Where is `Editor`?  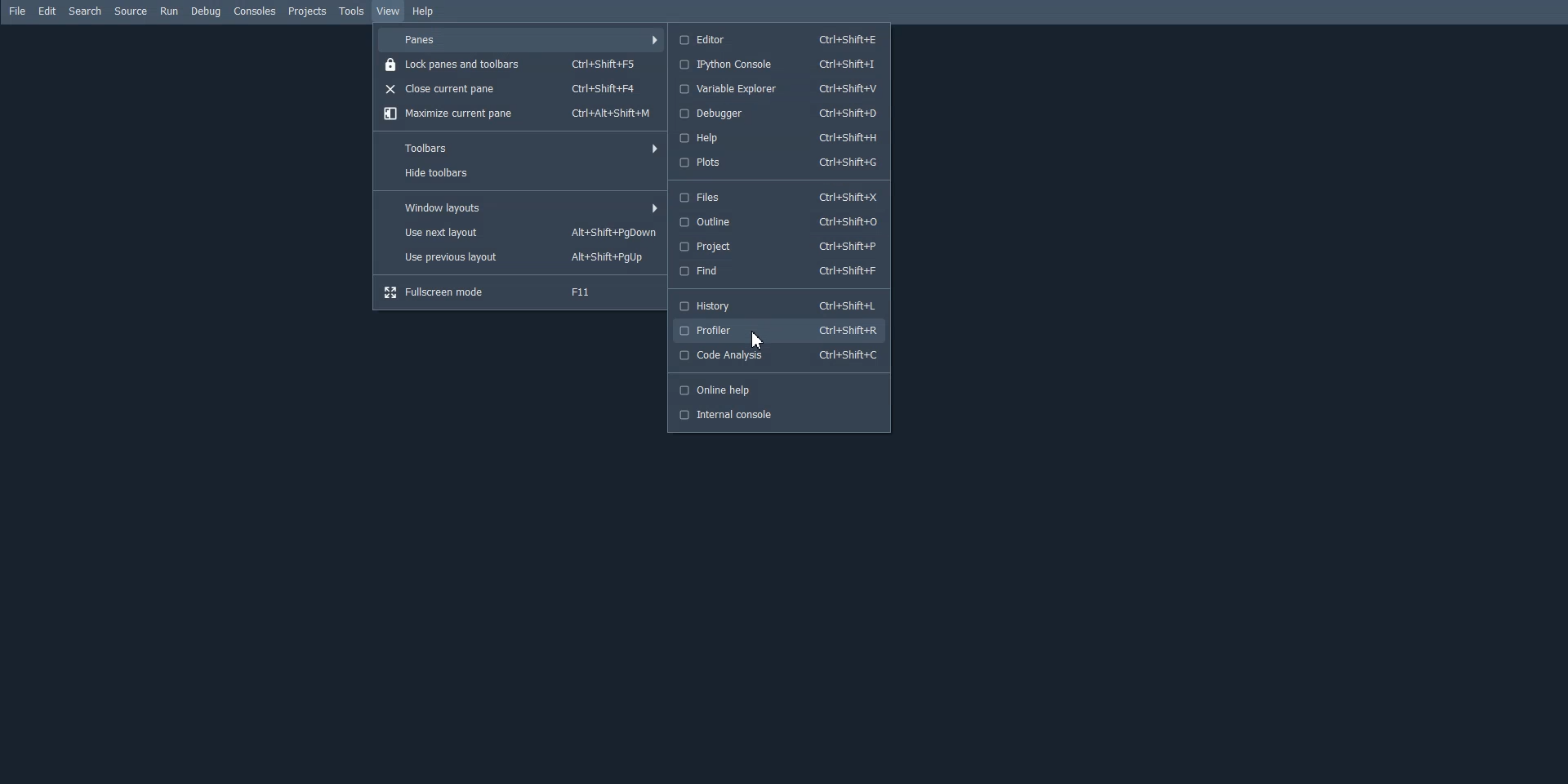
Editor is located at coordinates (776, 38).